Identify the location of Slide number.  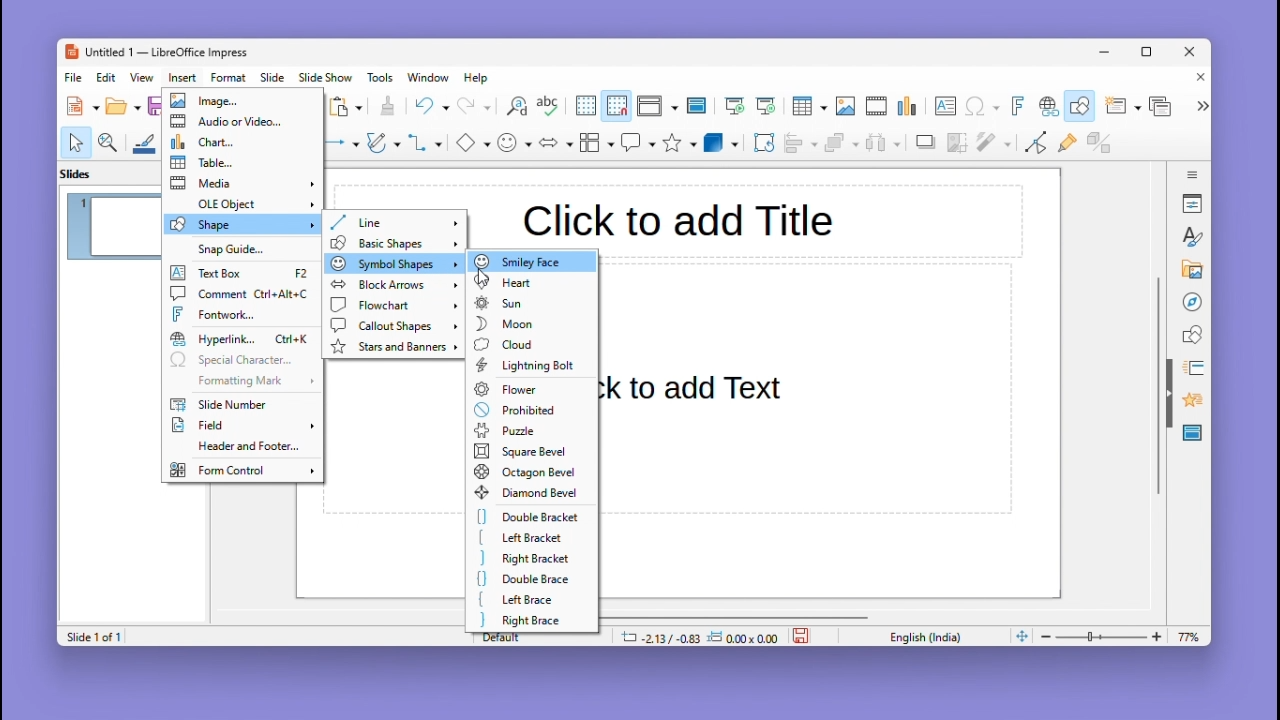
(234, 405).